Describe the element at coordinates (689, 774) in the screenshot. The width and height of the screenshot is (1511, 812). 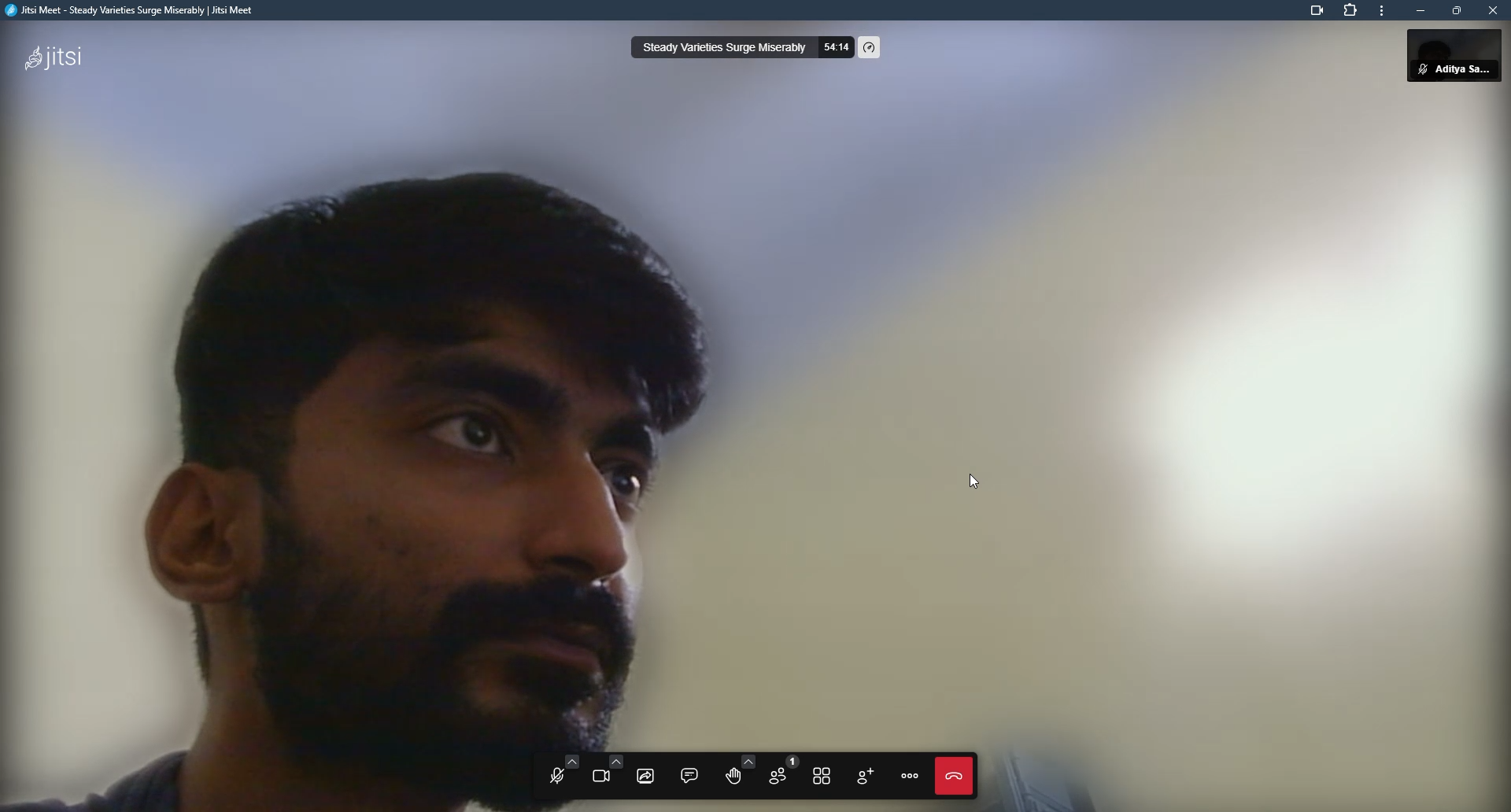
I see `open chat` at that location.